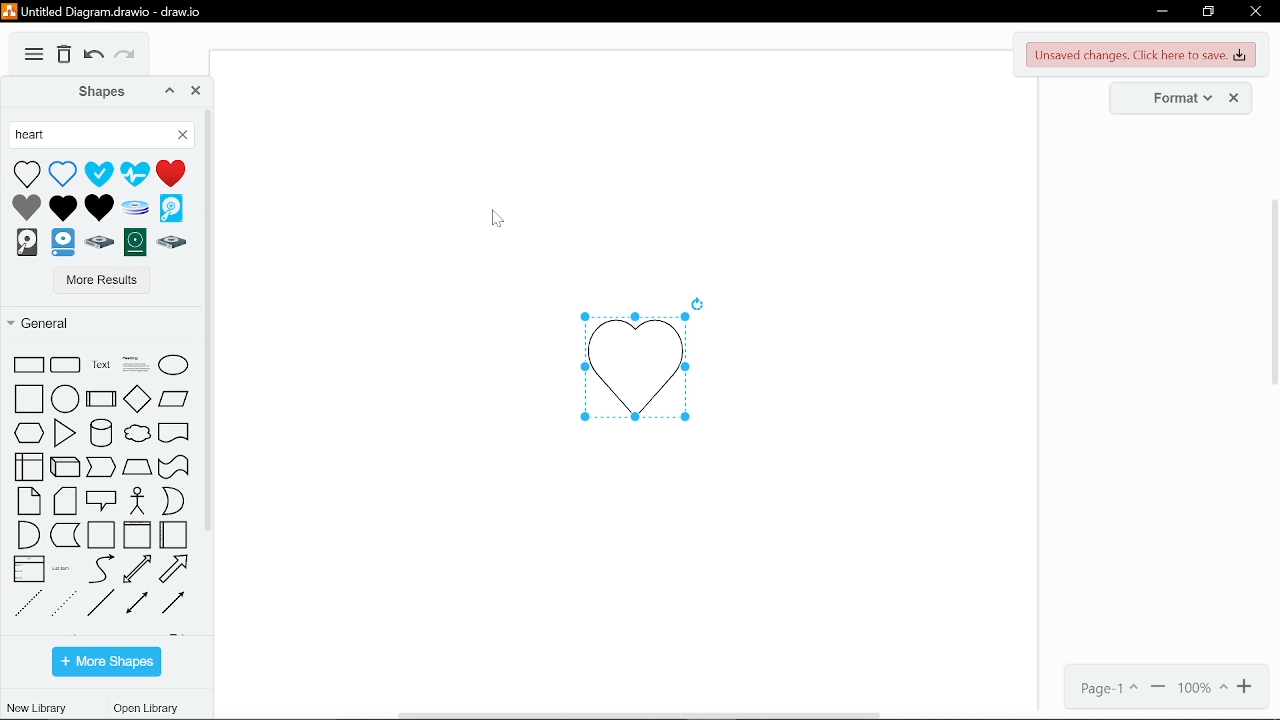  I want to click on heart monitoring, so click(135, 174).